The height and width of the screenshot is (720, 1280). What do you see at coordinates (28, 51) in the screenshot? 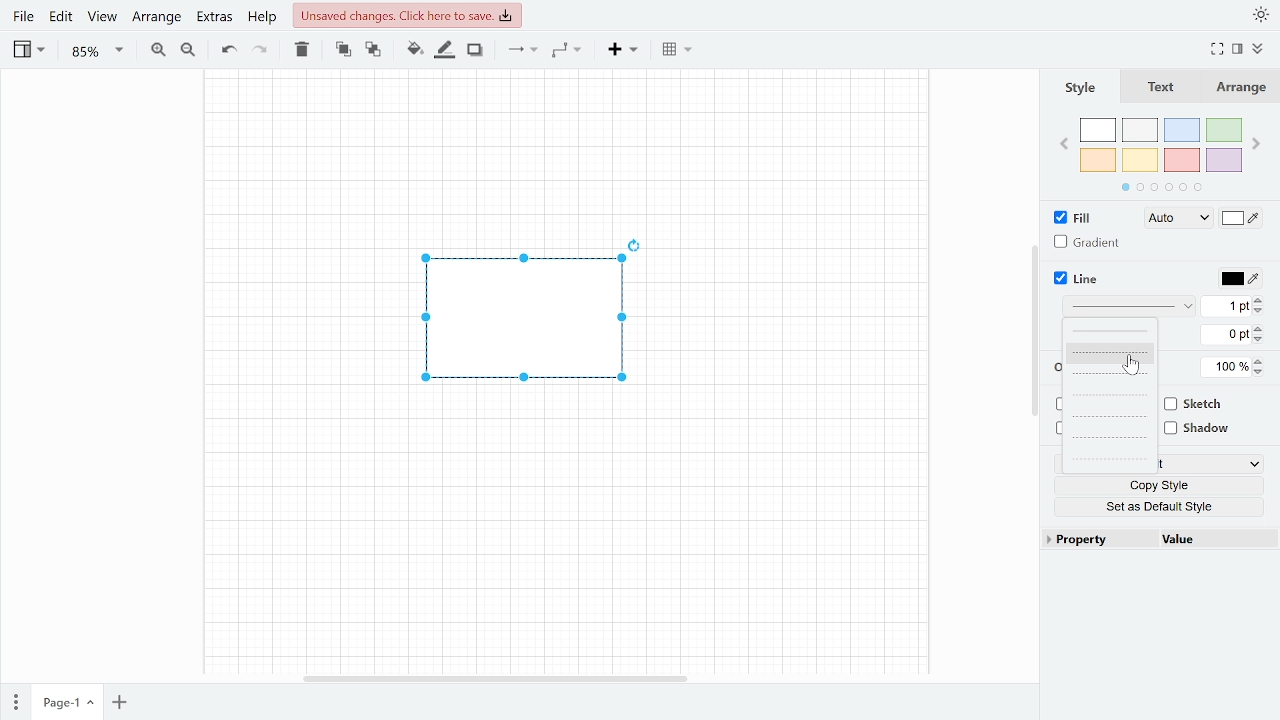
I see `View` at bounding box center [28, 51].